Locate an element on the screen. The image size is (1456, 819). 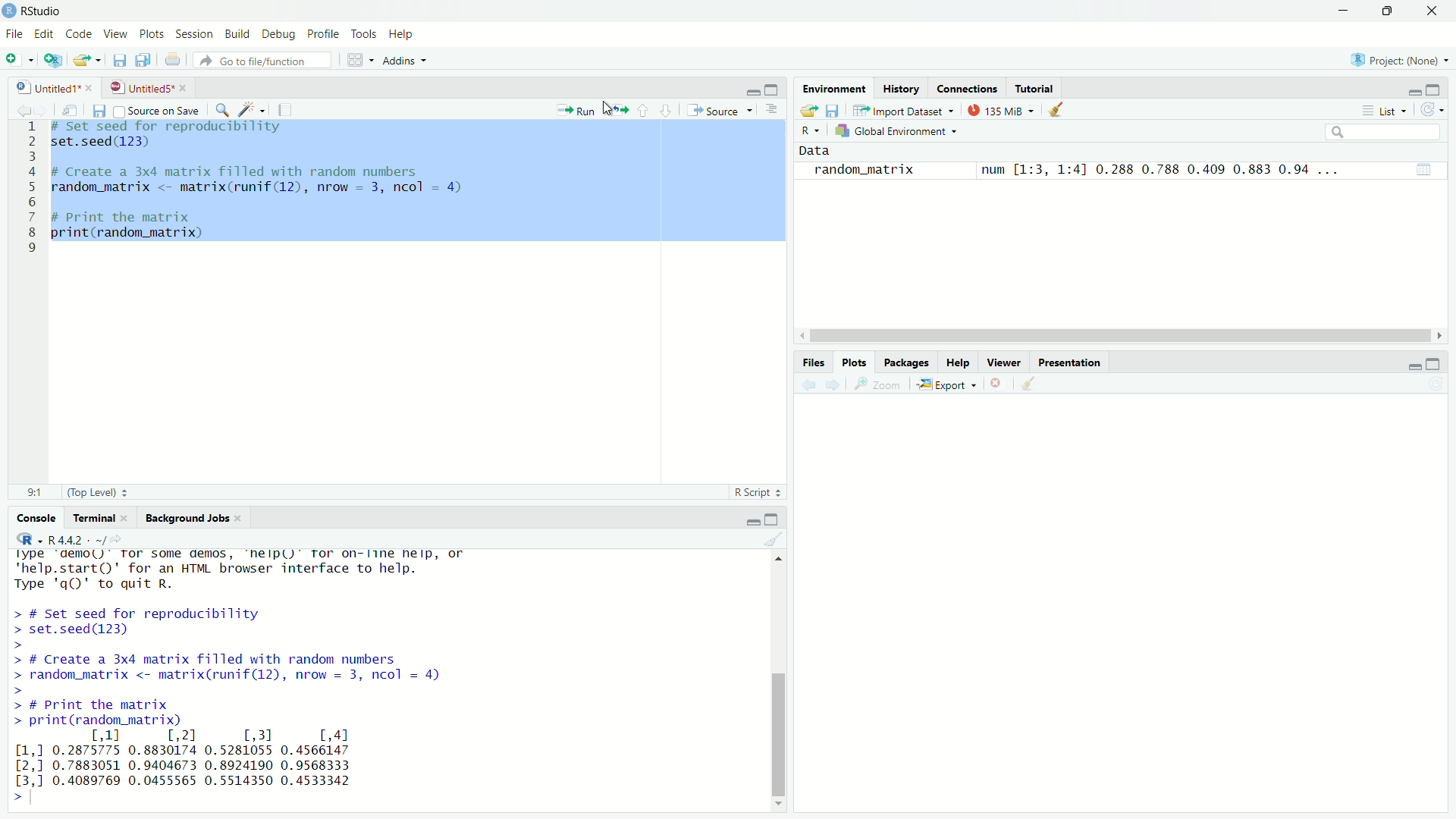
add script is located at coordinates (49, 58).